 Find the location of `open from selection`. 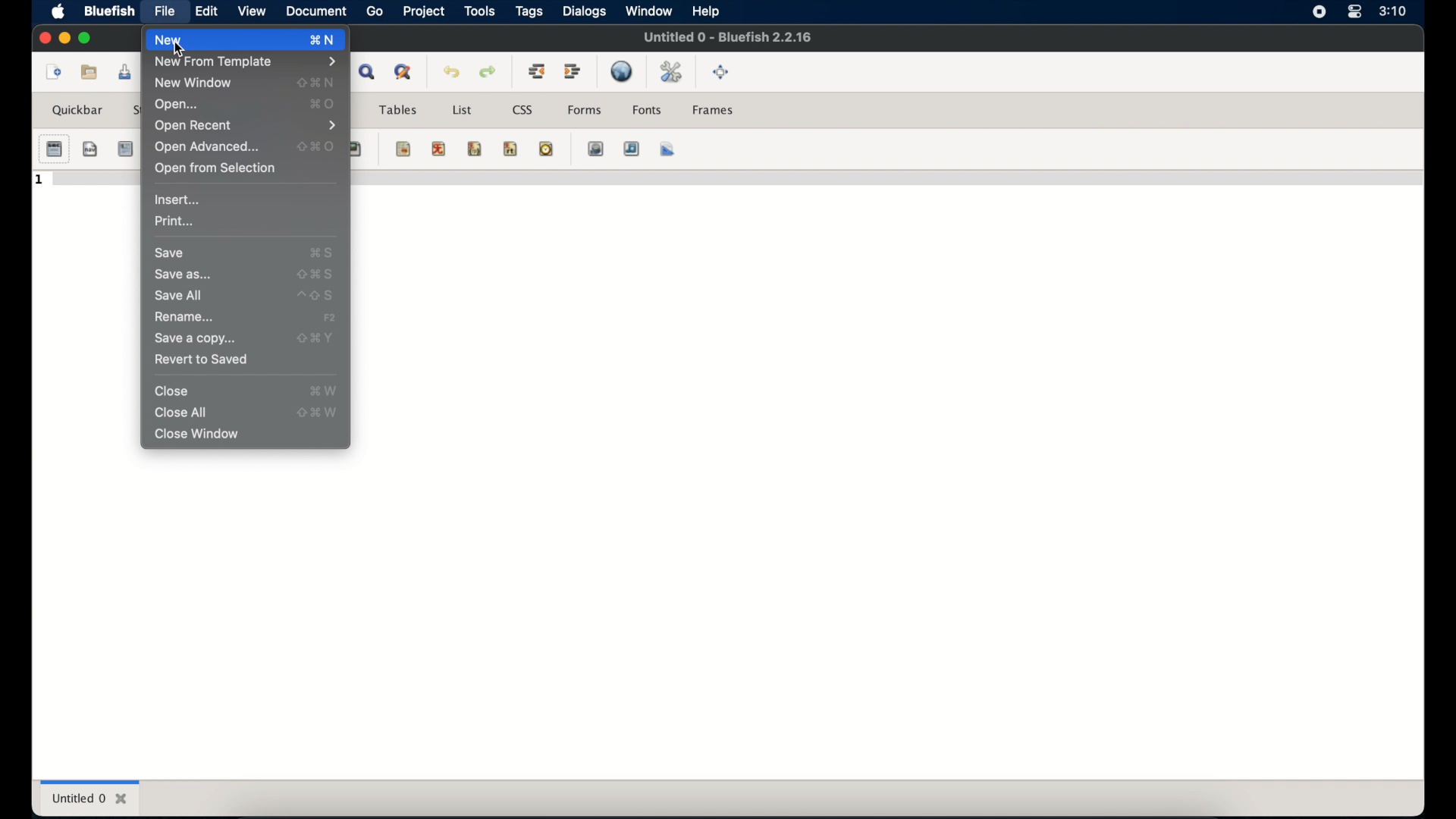

open from selection is located at coordinates (215, 168).